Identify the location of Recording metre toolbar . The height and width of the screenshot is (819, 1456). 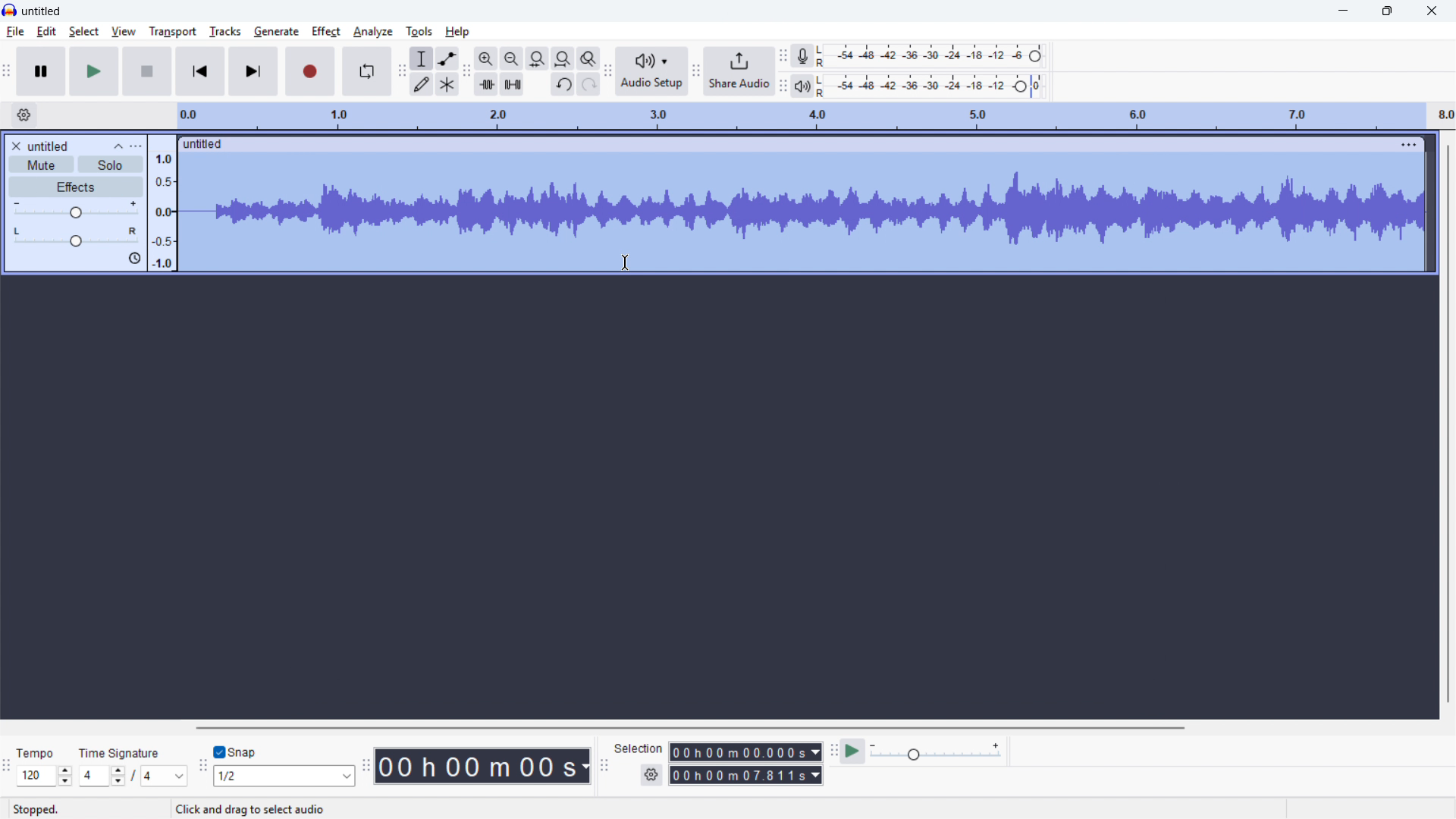
(783, 55).